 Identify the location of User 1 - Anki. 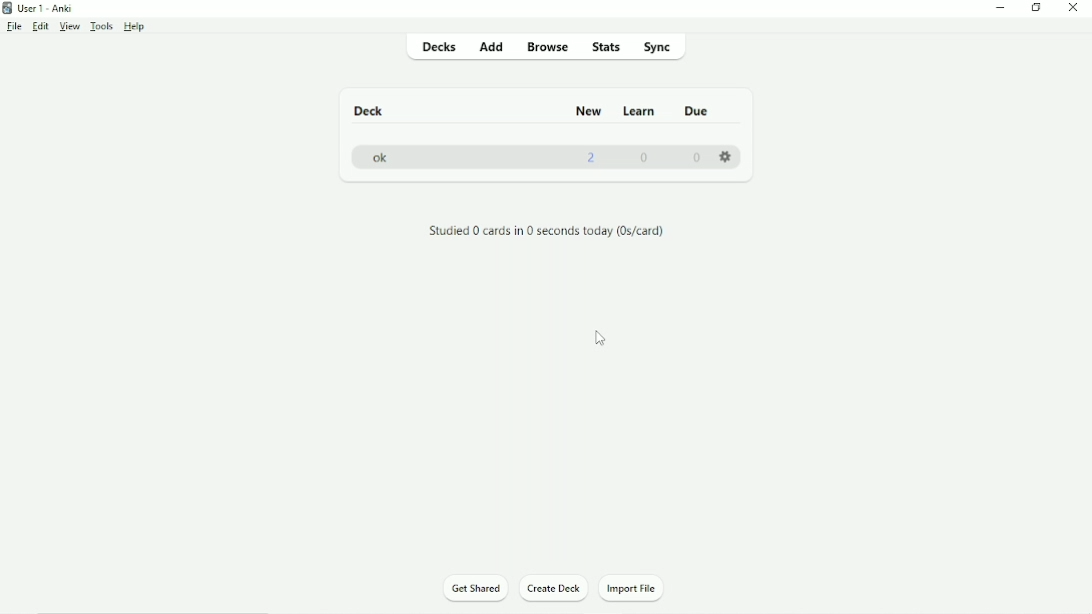
(44, 8).